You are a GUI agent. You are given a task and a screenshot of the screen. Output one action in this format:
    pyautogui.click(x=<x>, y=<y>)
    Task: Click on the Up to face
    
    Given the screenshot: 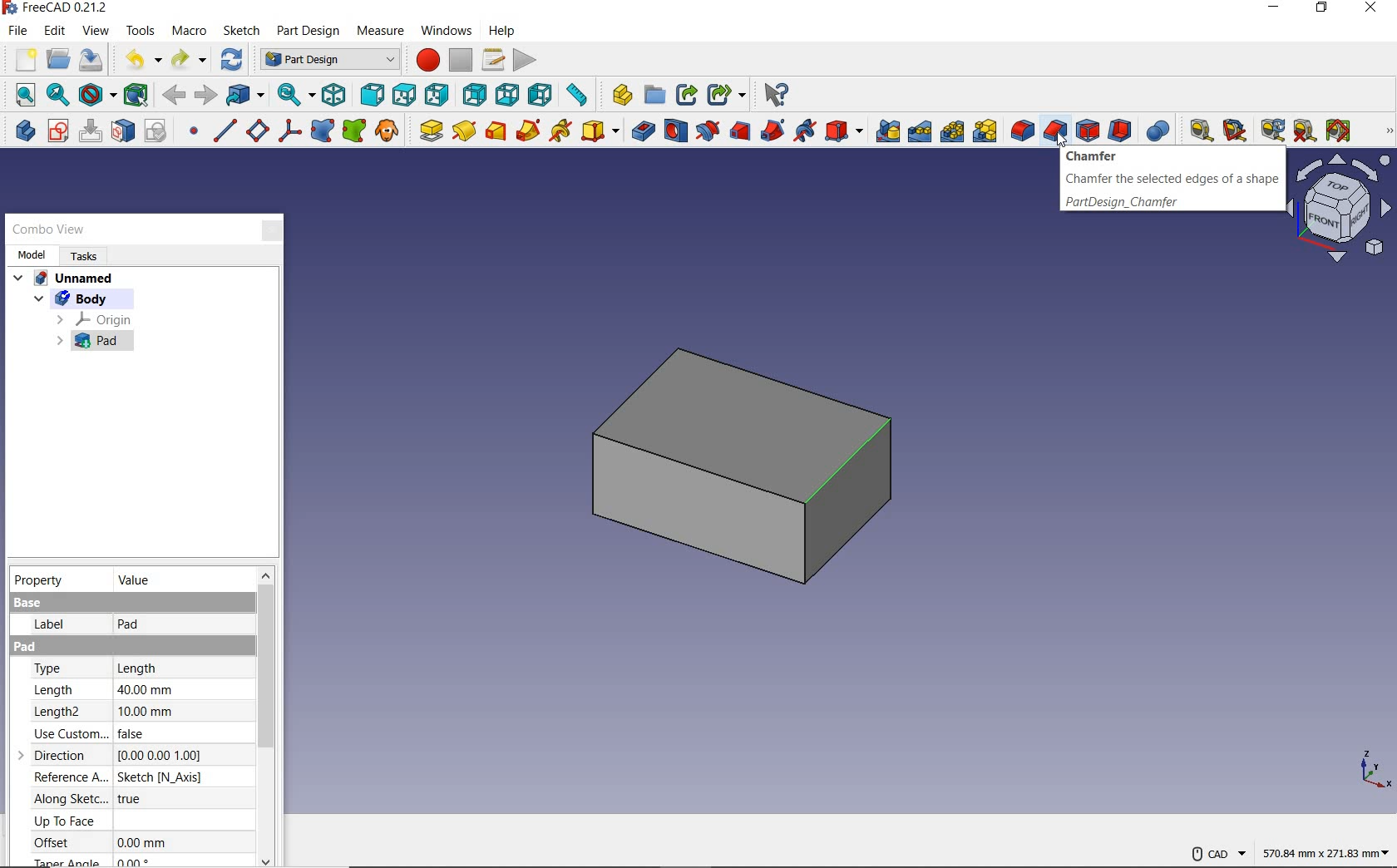 What is the action you would take?
    pyautogui.click(x=65, y=821)
    